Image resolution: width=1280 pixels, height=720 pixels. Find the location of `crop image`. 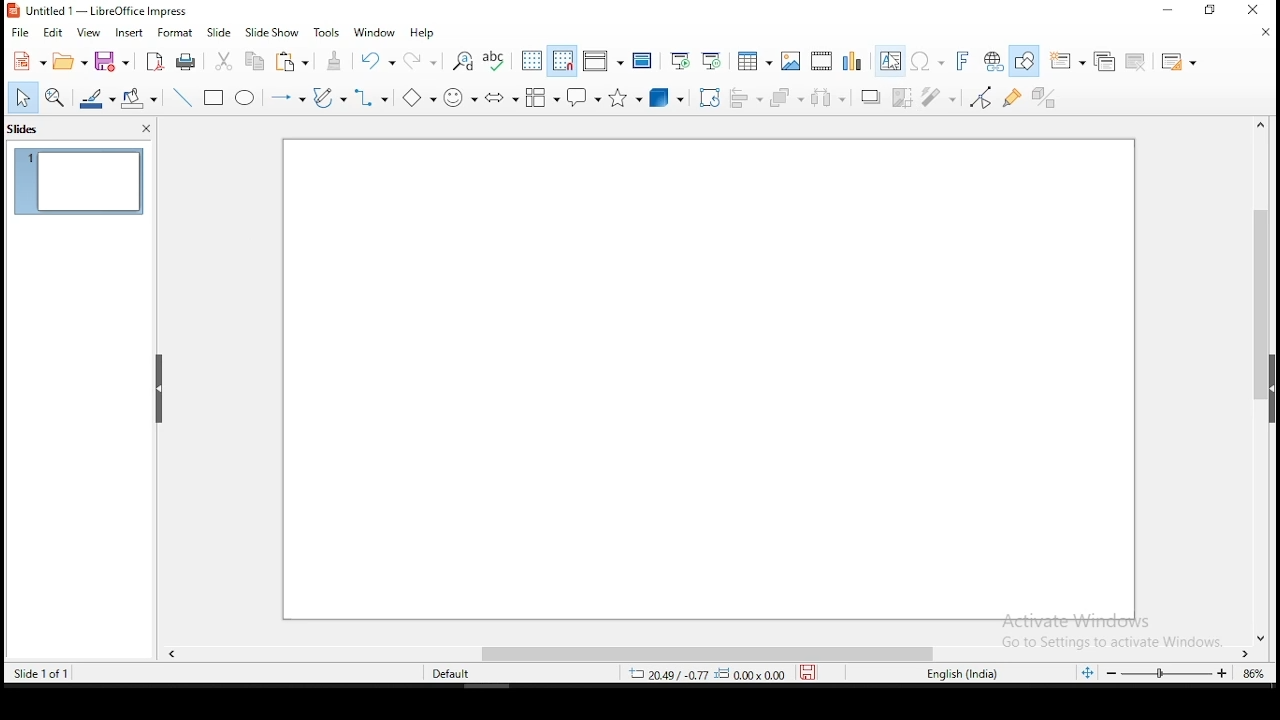

crop image is located at coordinates (903, 99).